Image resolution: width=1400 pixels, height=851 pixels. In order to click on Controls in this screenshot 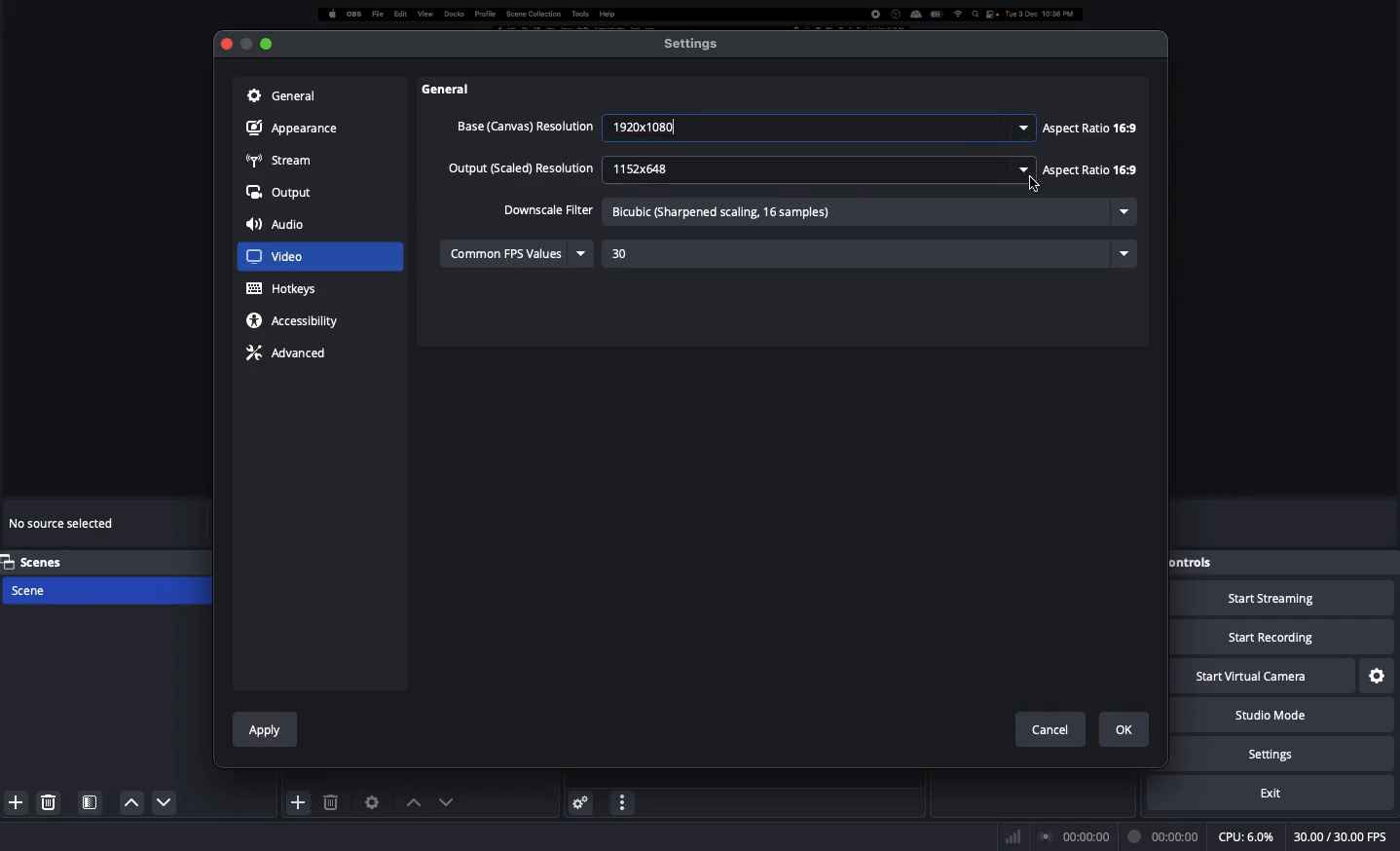, I will do `click(1195, 562)`.